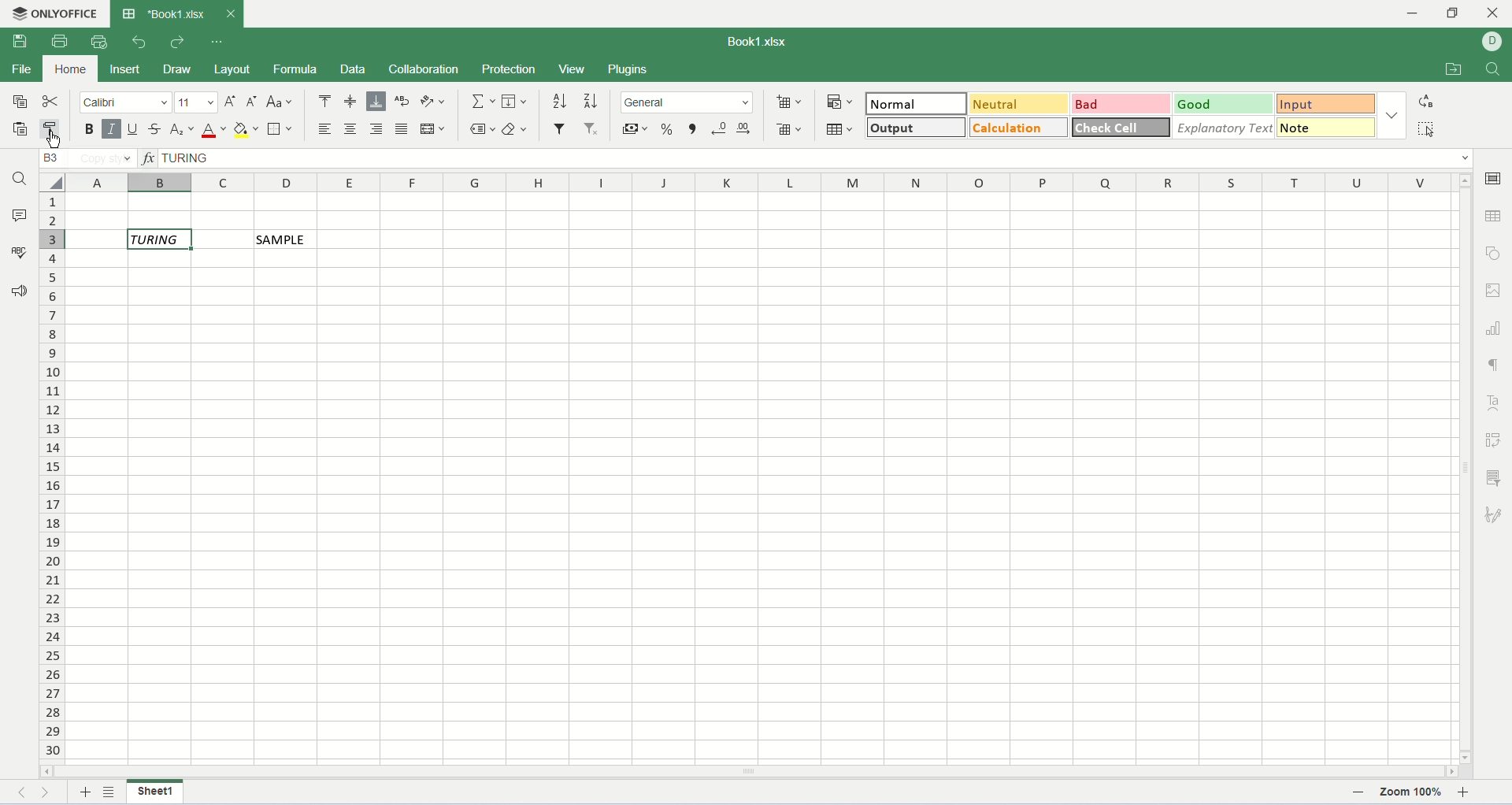 The width and height of the screenshot is (1512, 805). I want to click on wrap text, so click(403, 102).